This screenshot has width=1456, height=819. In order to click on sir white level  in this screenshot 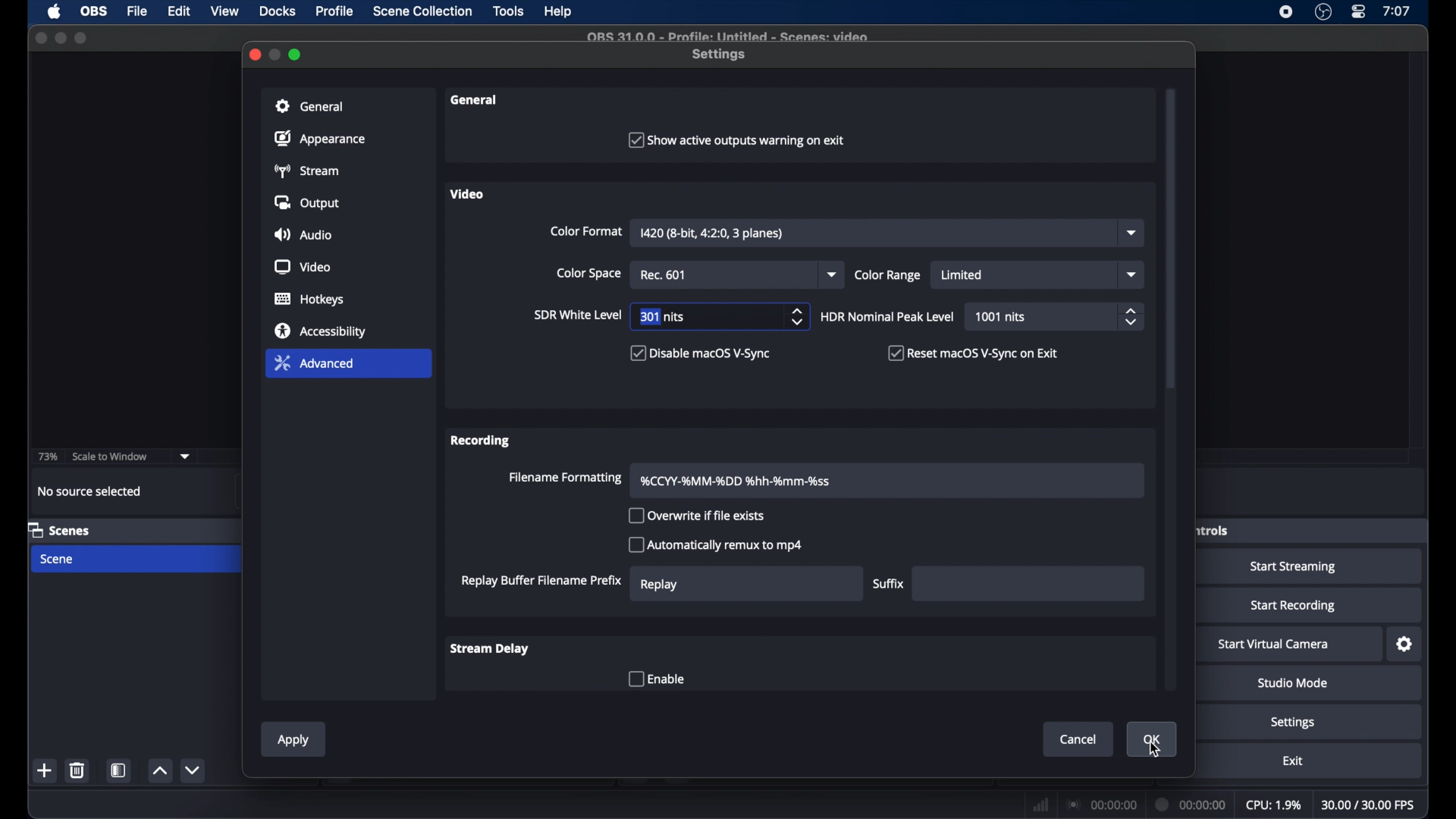, I will do `click(576, 315)`.